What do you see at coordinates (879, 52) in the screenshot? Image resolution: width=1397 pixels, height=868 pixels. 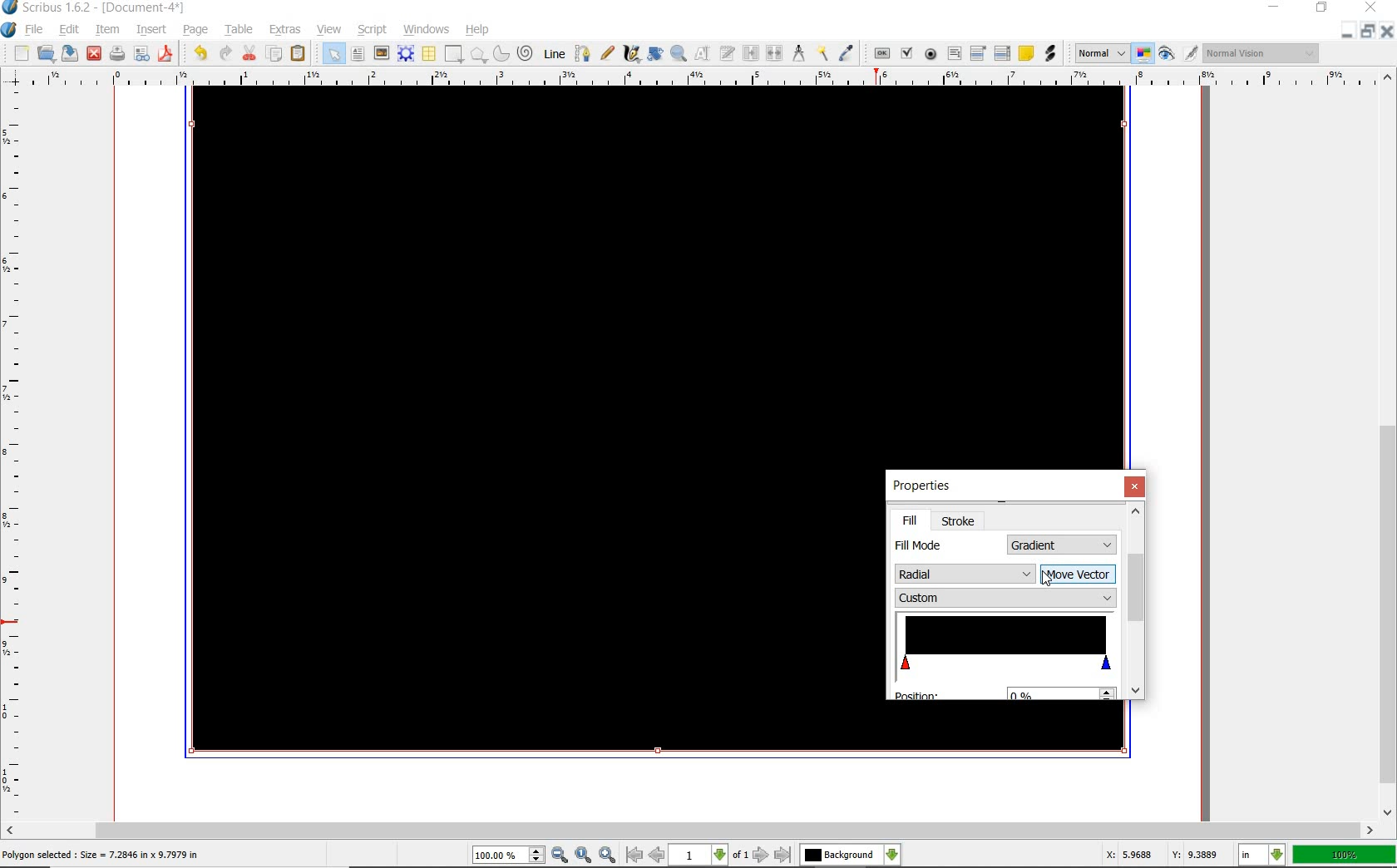 I see `pdf push button` at bounding box center [879, 52].